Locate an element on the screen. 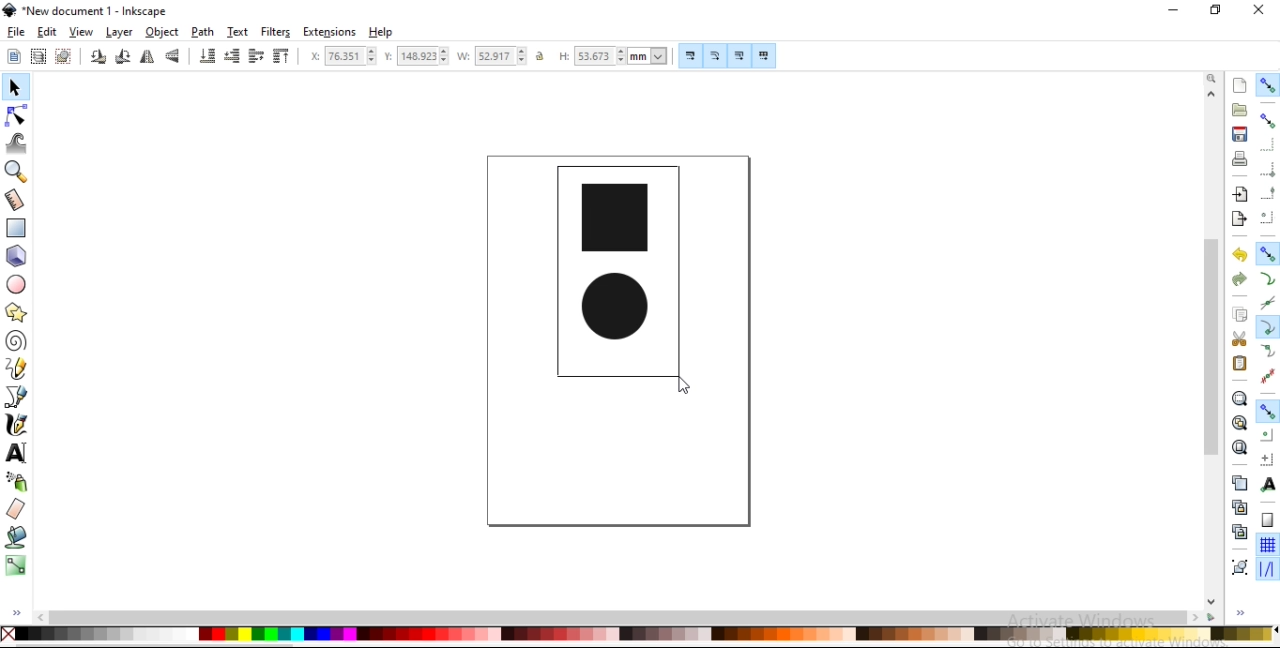 The image size is (1280, 648). move patterns along with object is located at coordinates (765, 56).